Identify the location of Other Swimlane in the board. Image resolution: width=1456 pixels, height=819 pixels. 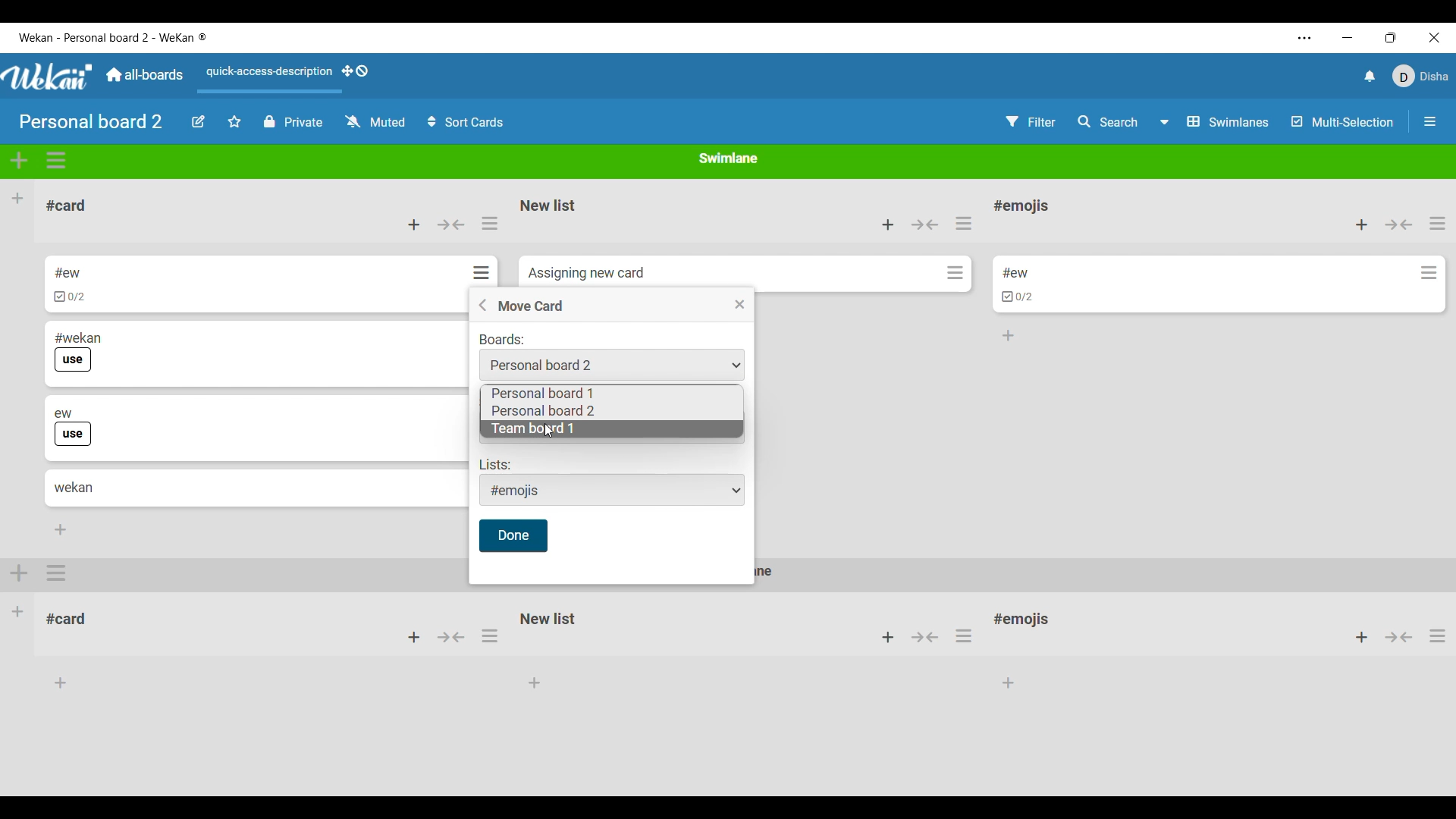
(18, 610).